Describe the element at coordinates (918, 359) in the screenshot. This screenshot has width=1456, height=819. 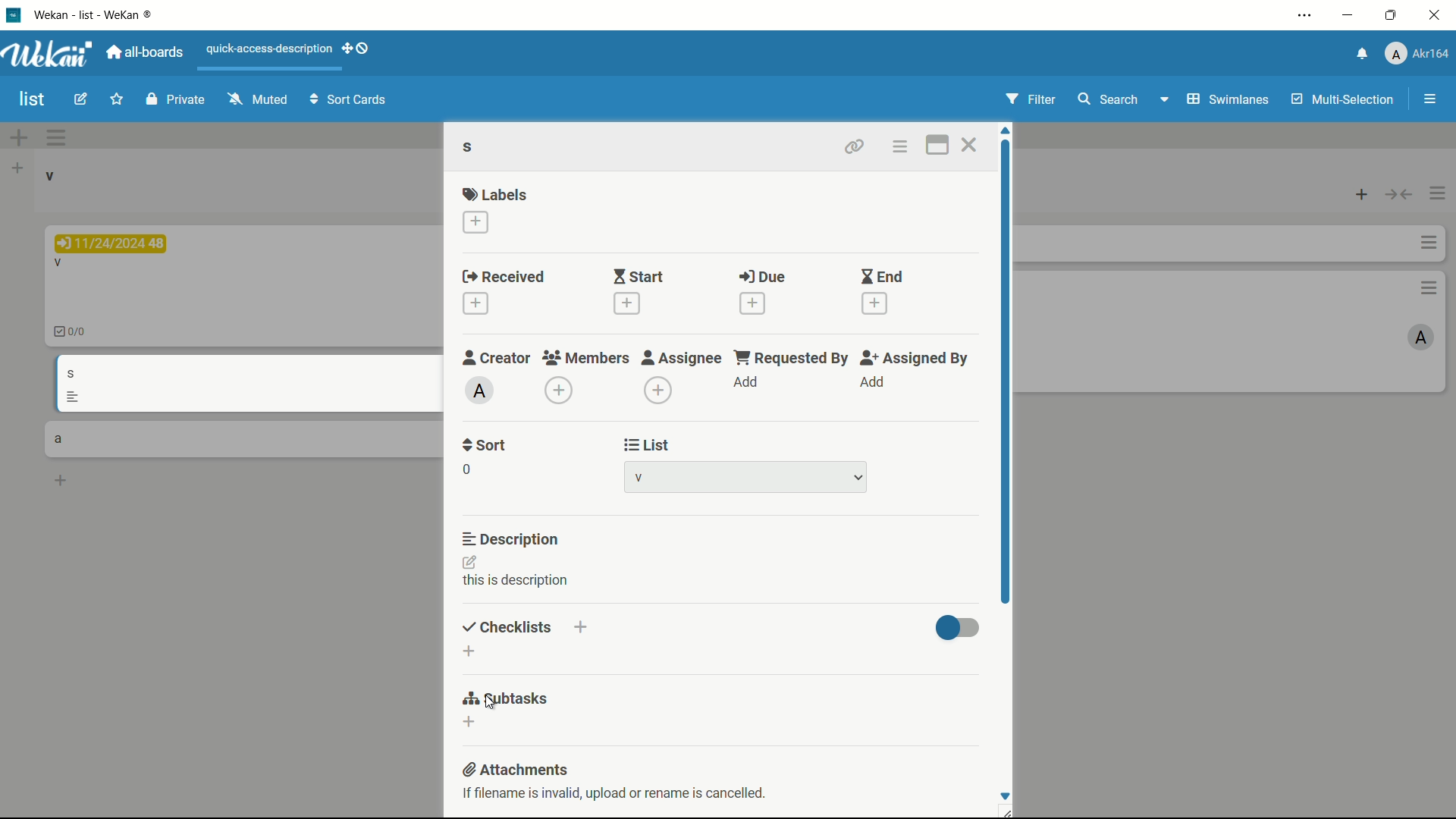
I see `assigned by` at that location.